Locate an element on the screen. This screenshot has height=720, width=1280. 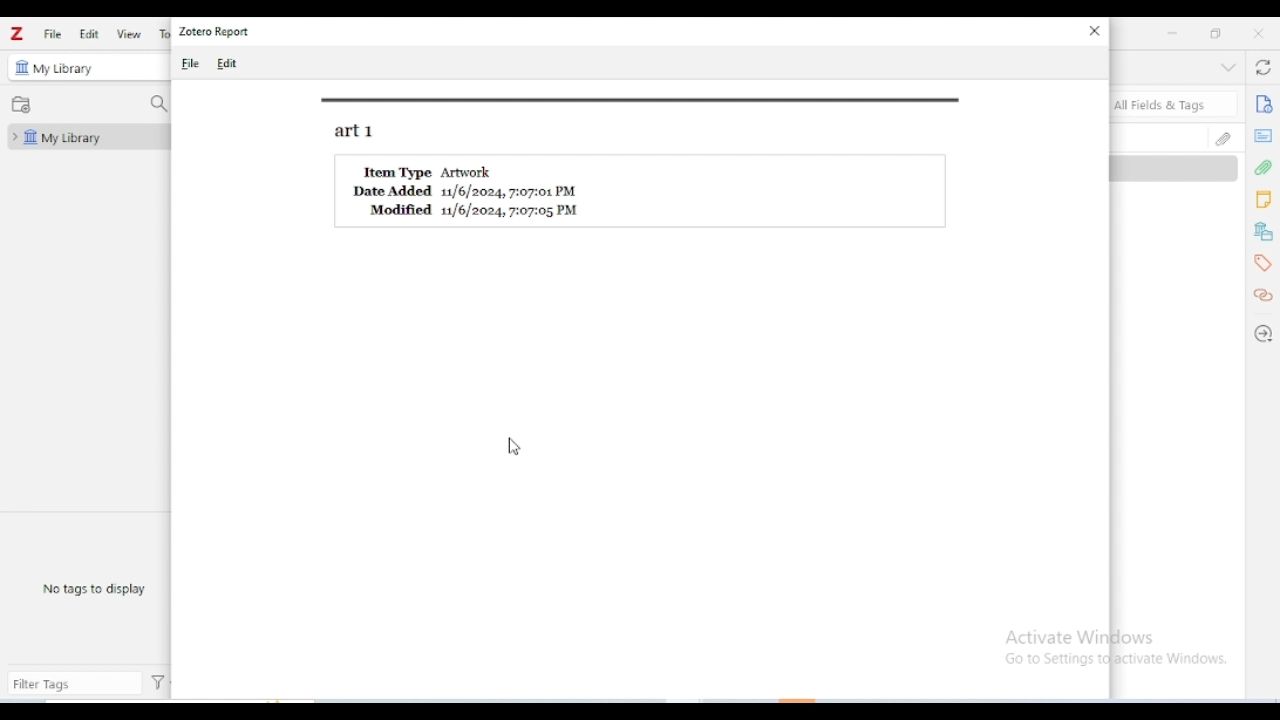
icon is located at coordinates (20, 67).